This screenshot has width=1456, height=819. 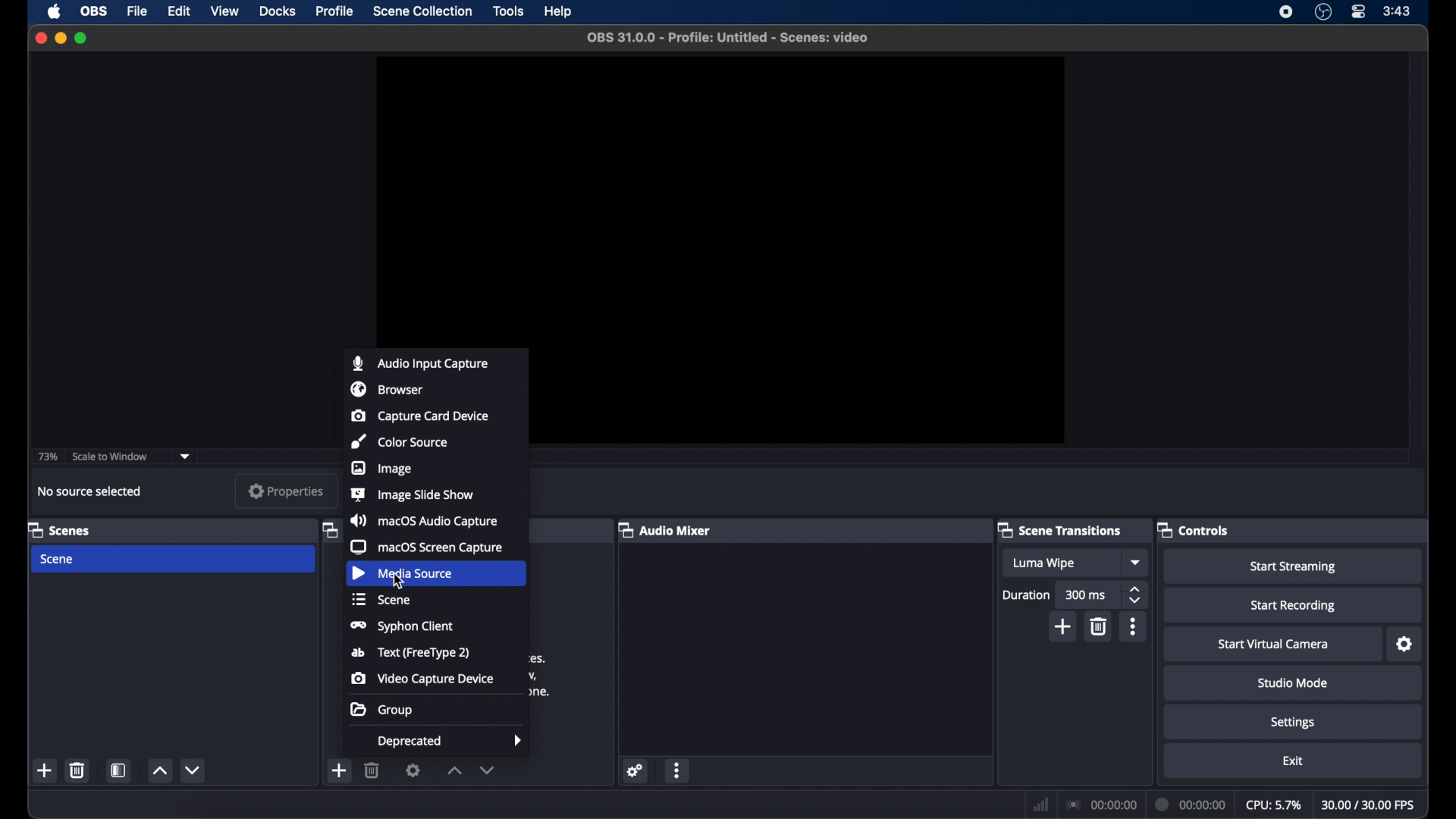 I want to click on image slide show, so click(x=413, y=494).